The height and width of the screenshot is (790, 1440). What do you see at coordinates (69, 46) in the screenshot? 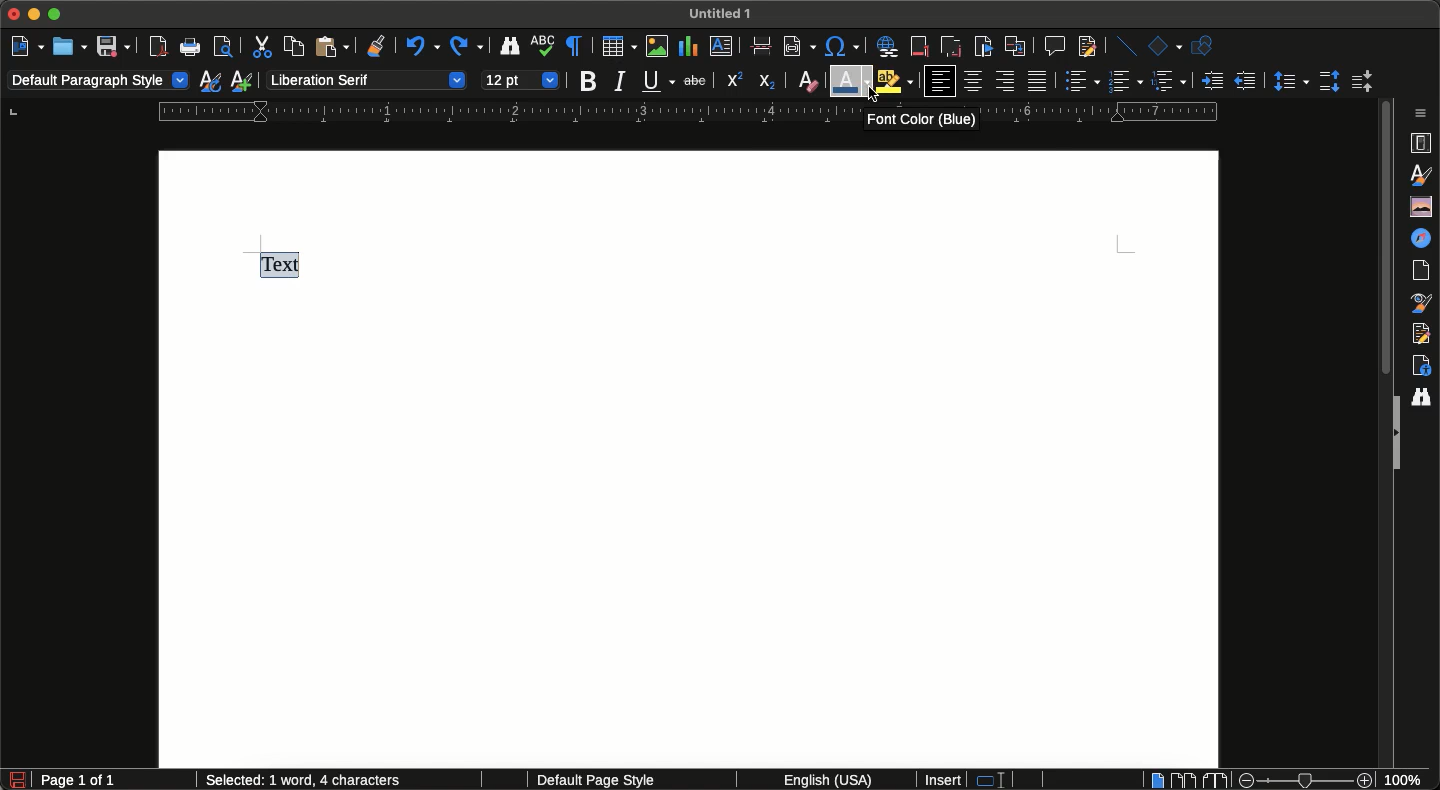
I see `Open` at bounding box center [69, 46].